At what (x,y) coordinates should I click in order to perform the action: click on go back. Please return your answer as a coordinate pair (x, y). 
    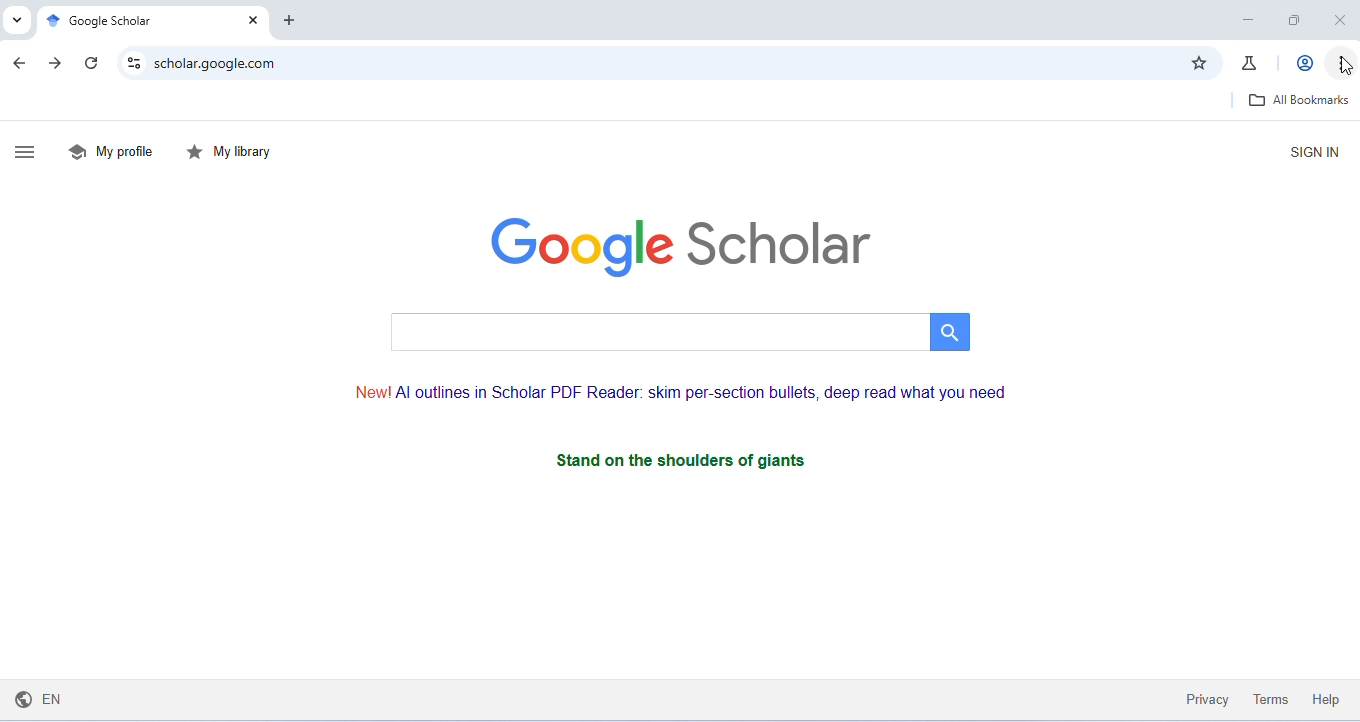
    Looking at the image, I should click on (20, 64).